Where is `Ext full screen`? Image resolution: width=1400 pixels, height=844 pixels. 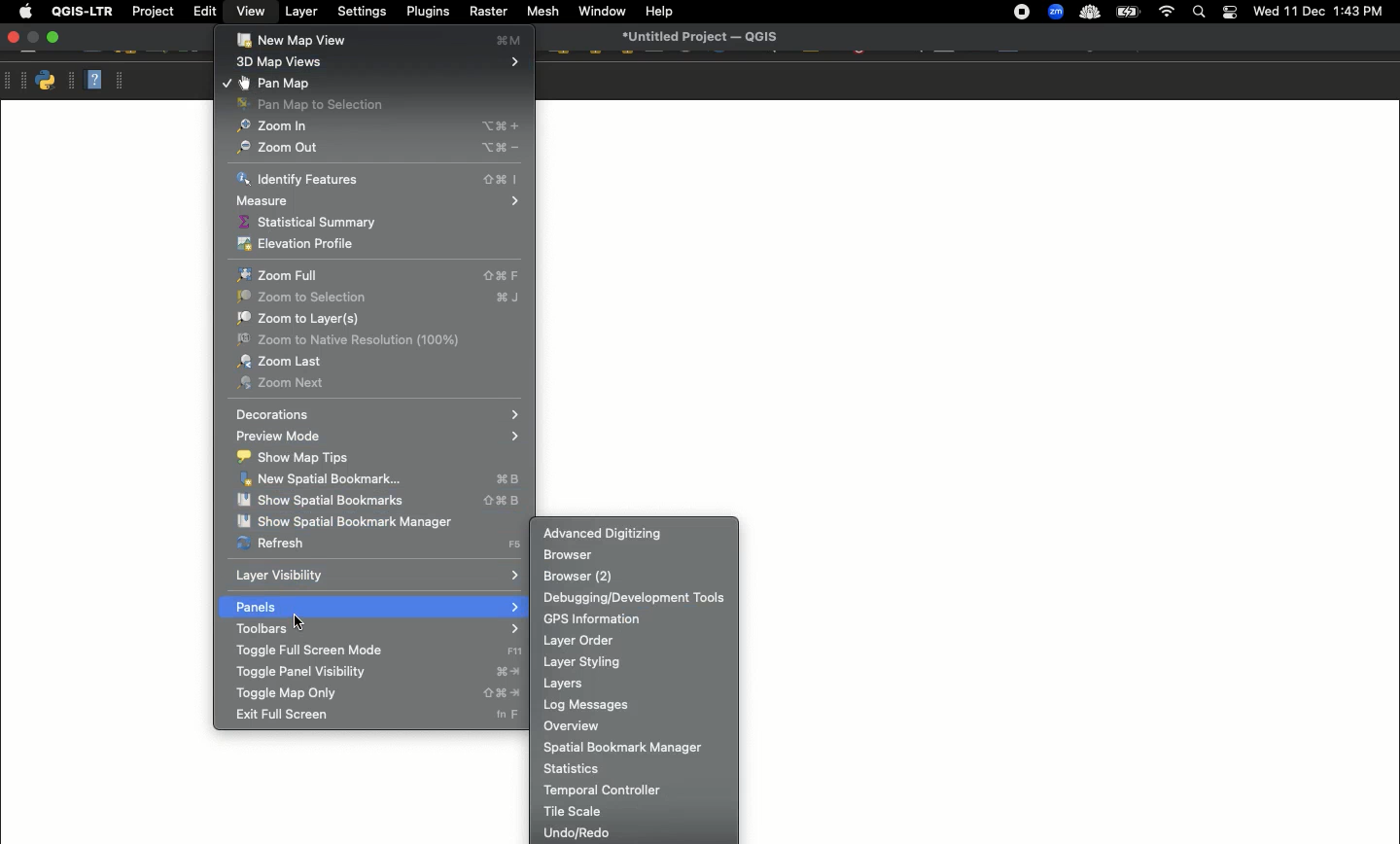
Ext full screen is located at coordinates (373, 716).